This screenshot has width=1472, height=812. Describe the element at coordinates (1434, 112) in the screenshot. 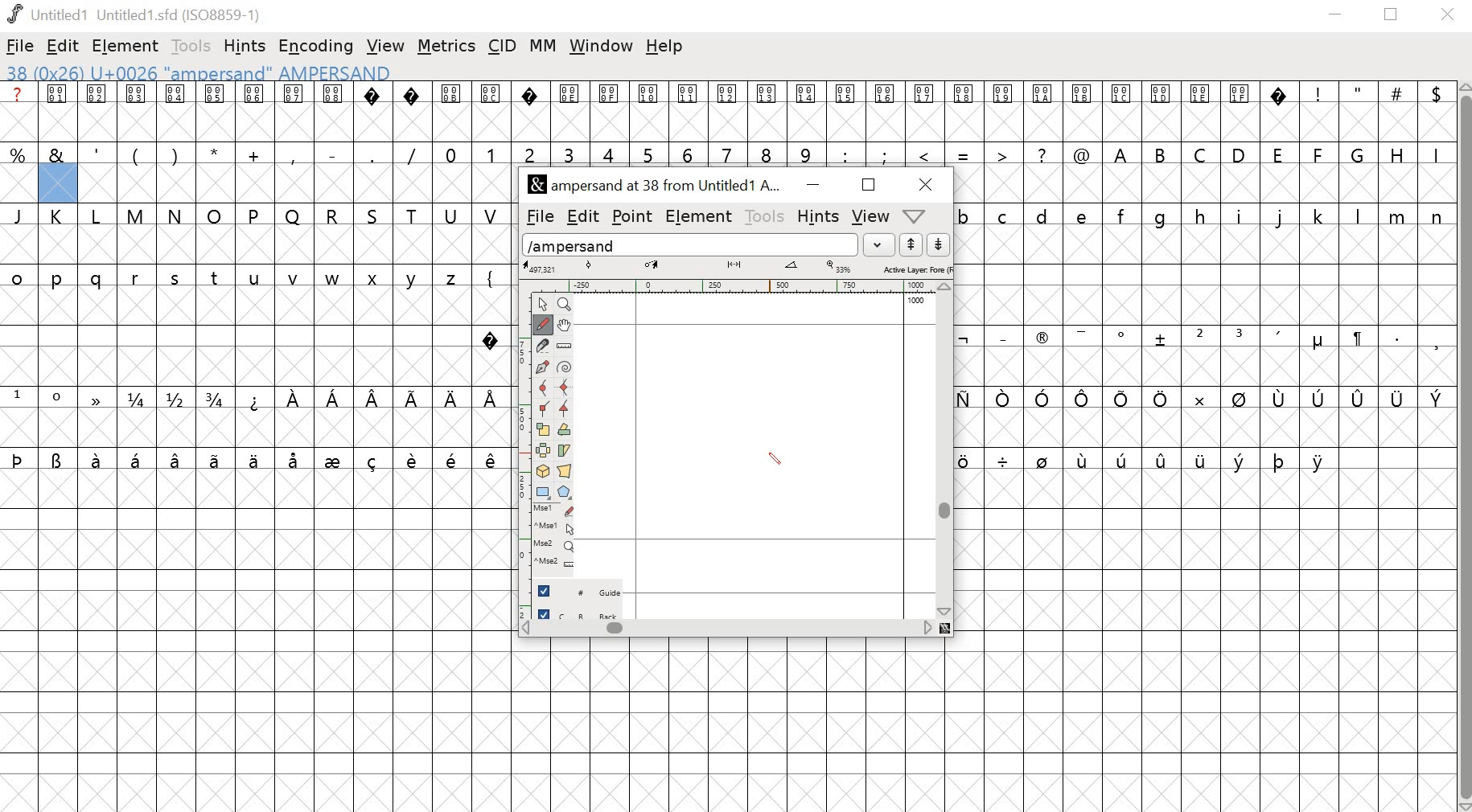

I see `$` at that location.